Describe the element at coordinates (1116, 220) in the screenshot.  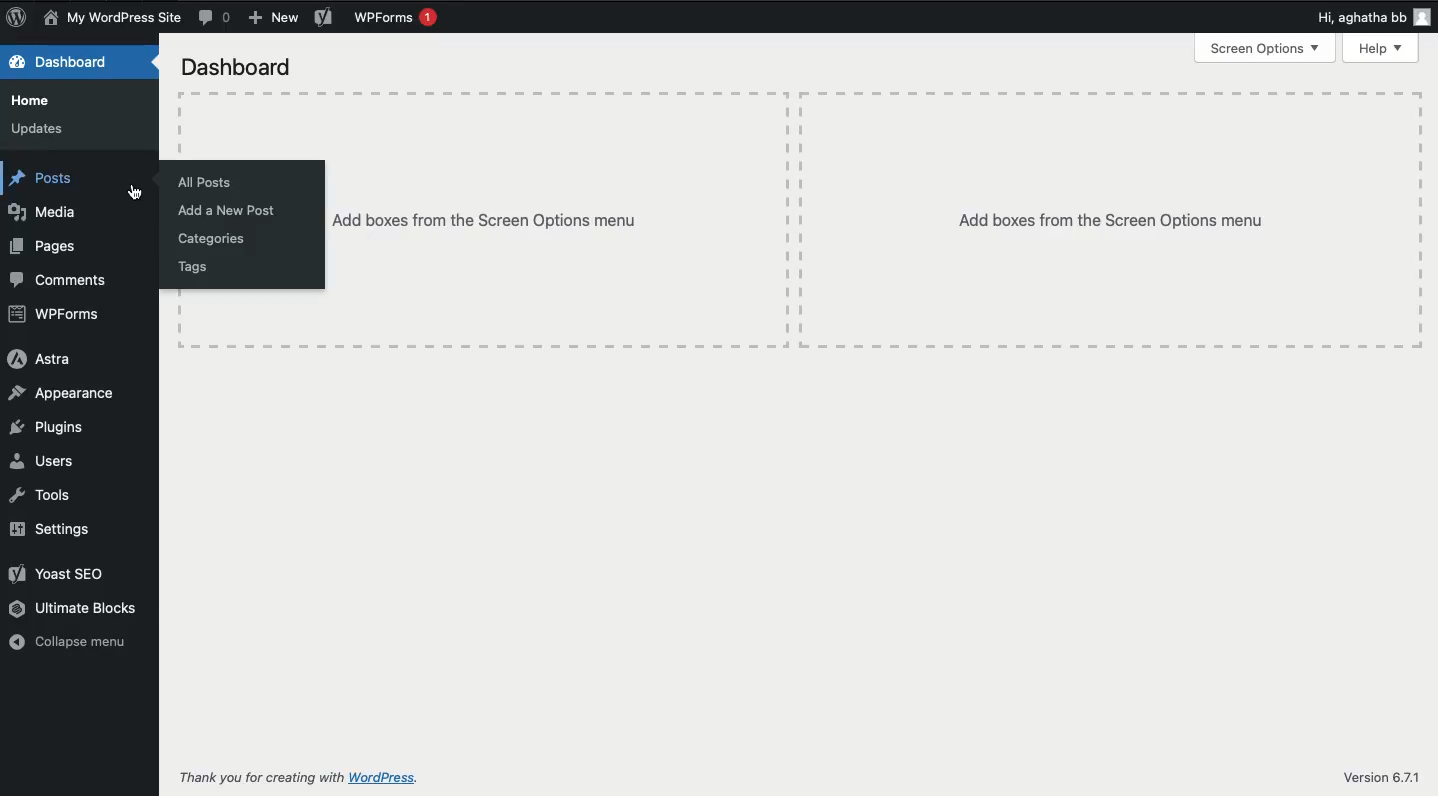
I see `Add boxes from the screen options menu` at that location.